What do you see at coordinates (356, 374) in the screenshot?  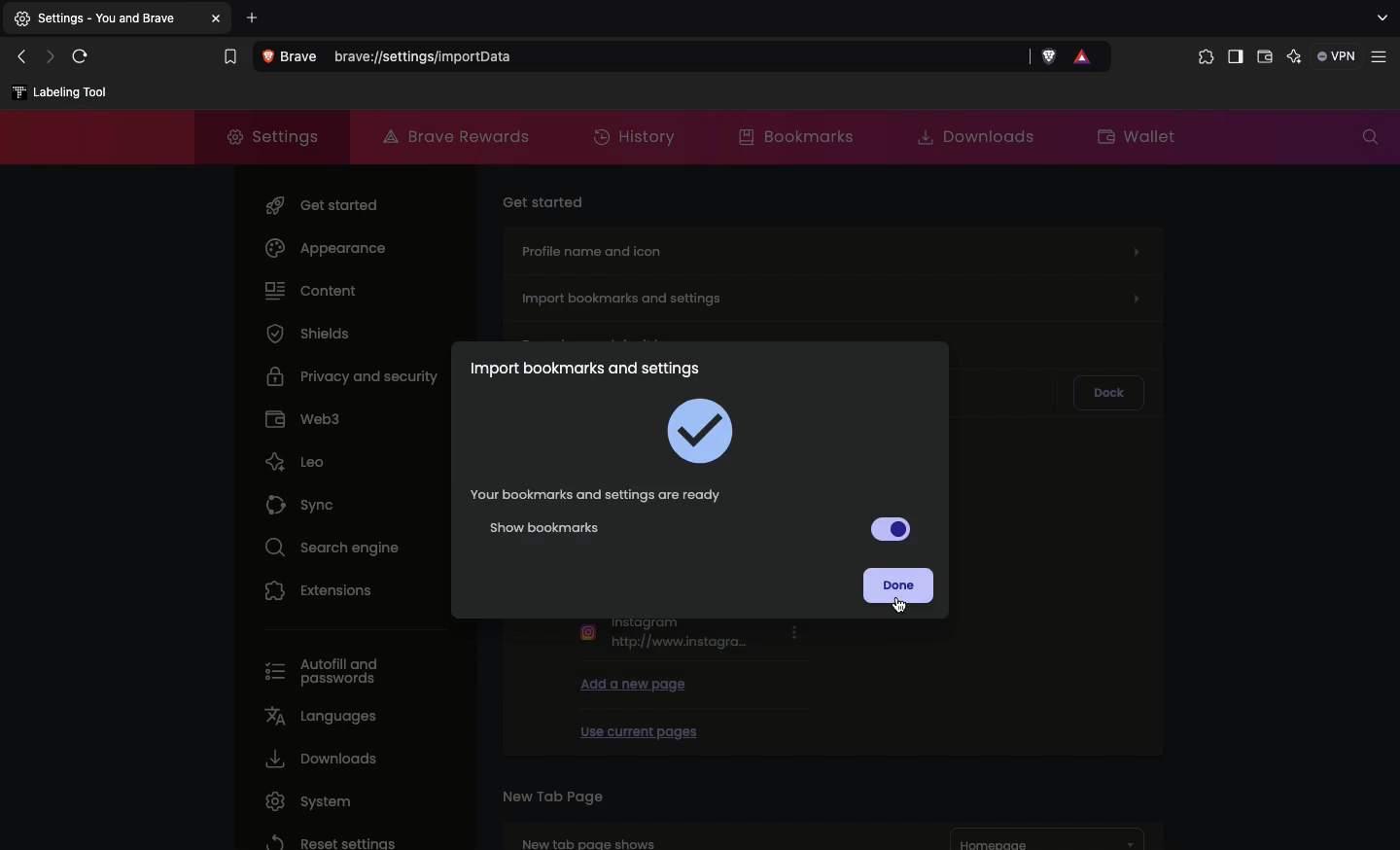 I see `Privacy and security` at bounding box center [356, 374].